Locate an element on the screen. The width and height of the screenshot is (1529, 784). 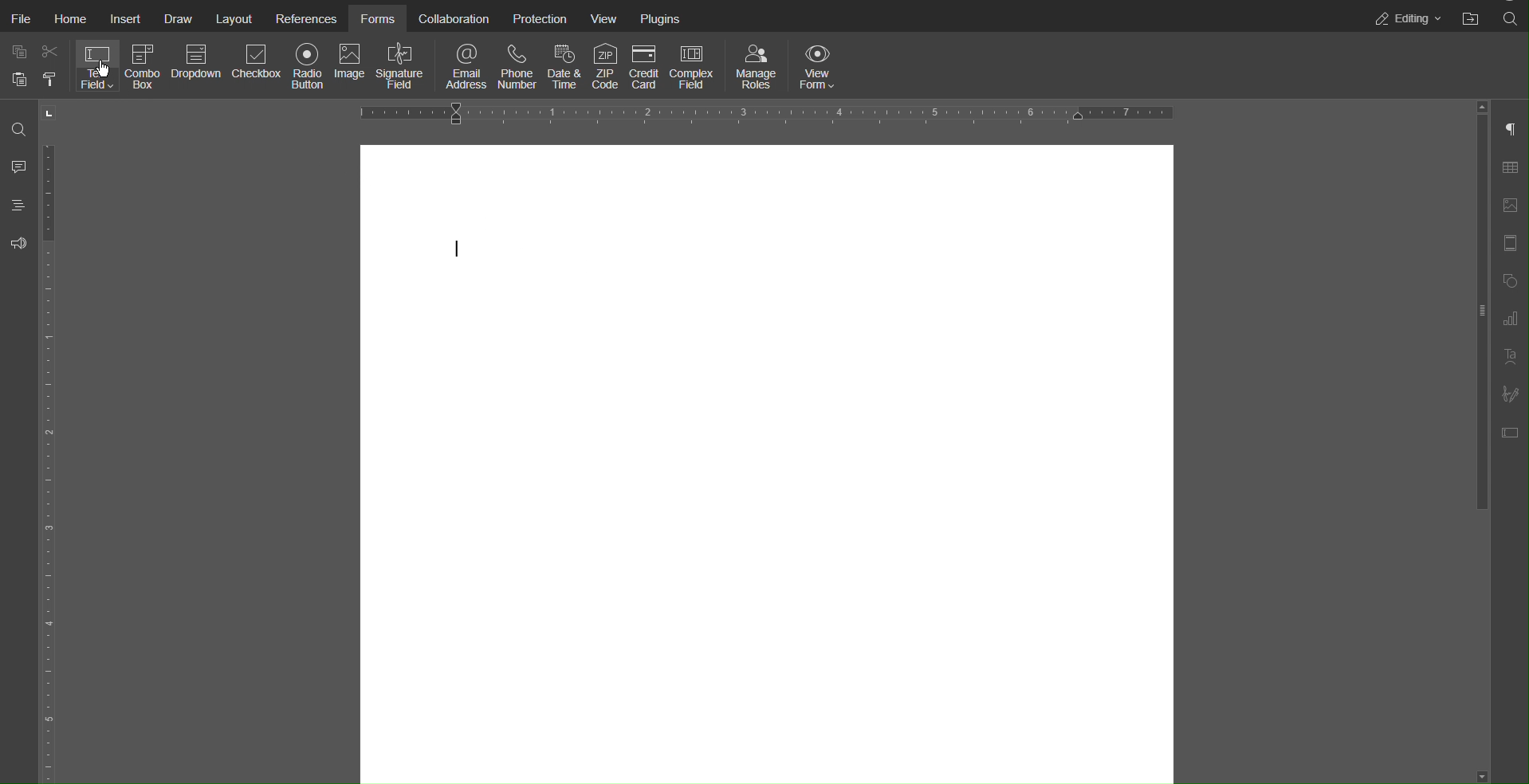
Checkbox is located at coordinates (257, 68).